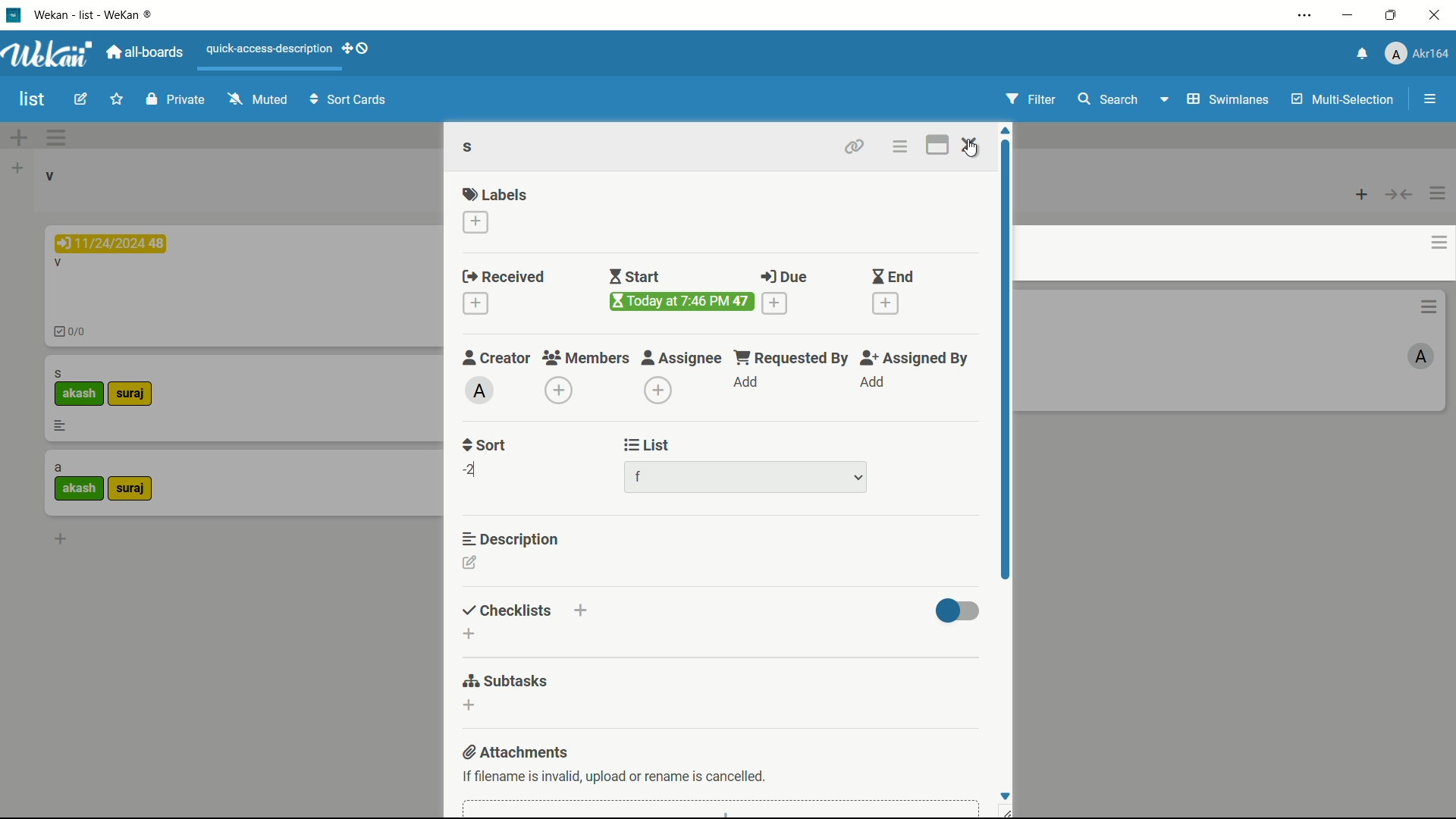  What do you see at coordinates (60, 538) in the screenshot?
I see `add card bottom` at bounding box center [60, 538].